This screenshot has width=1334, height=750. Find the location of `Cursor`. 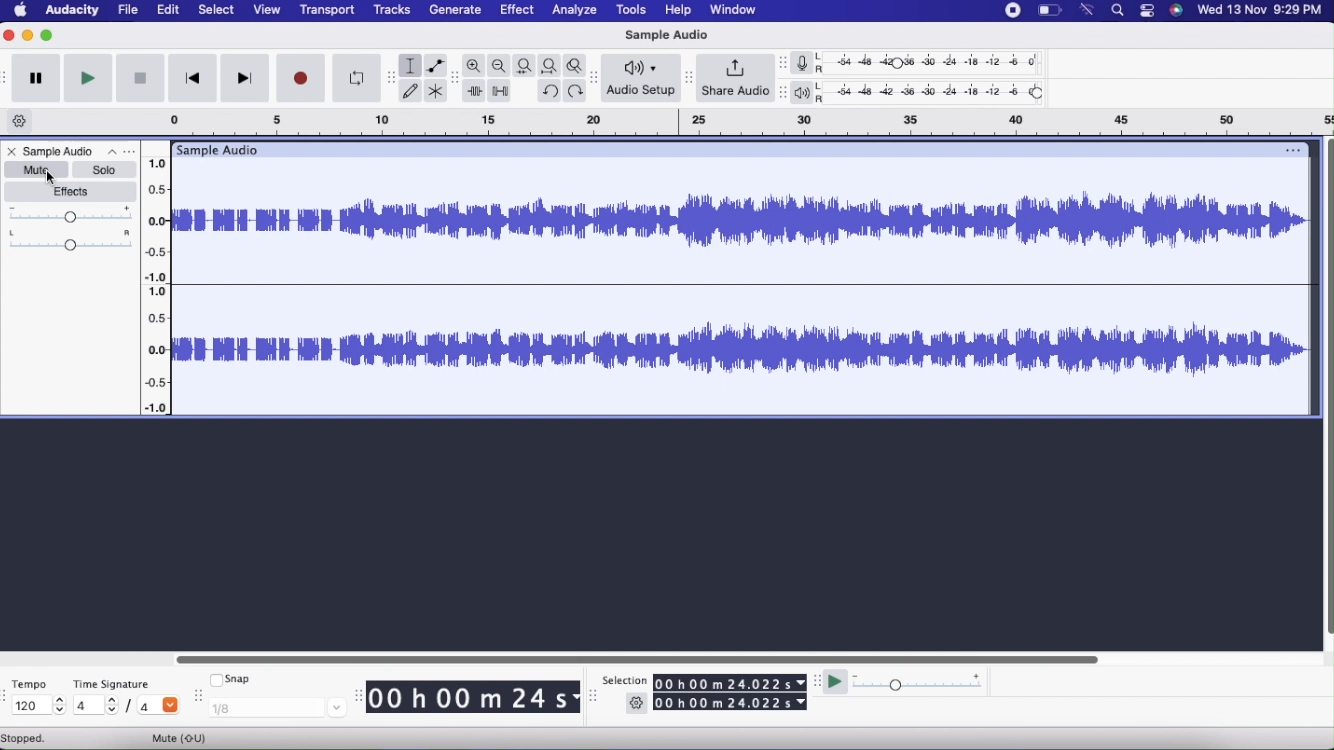

Cursor is located at coordinates (51, 177).